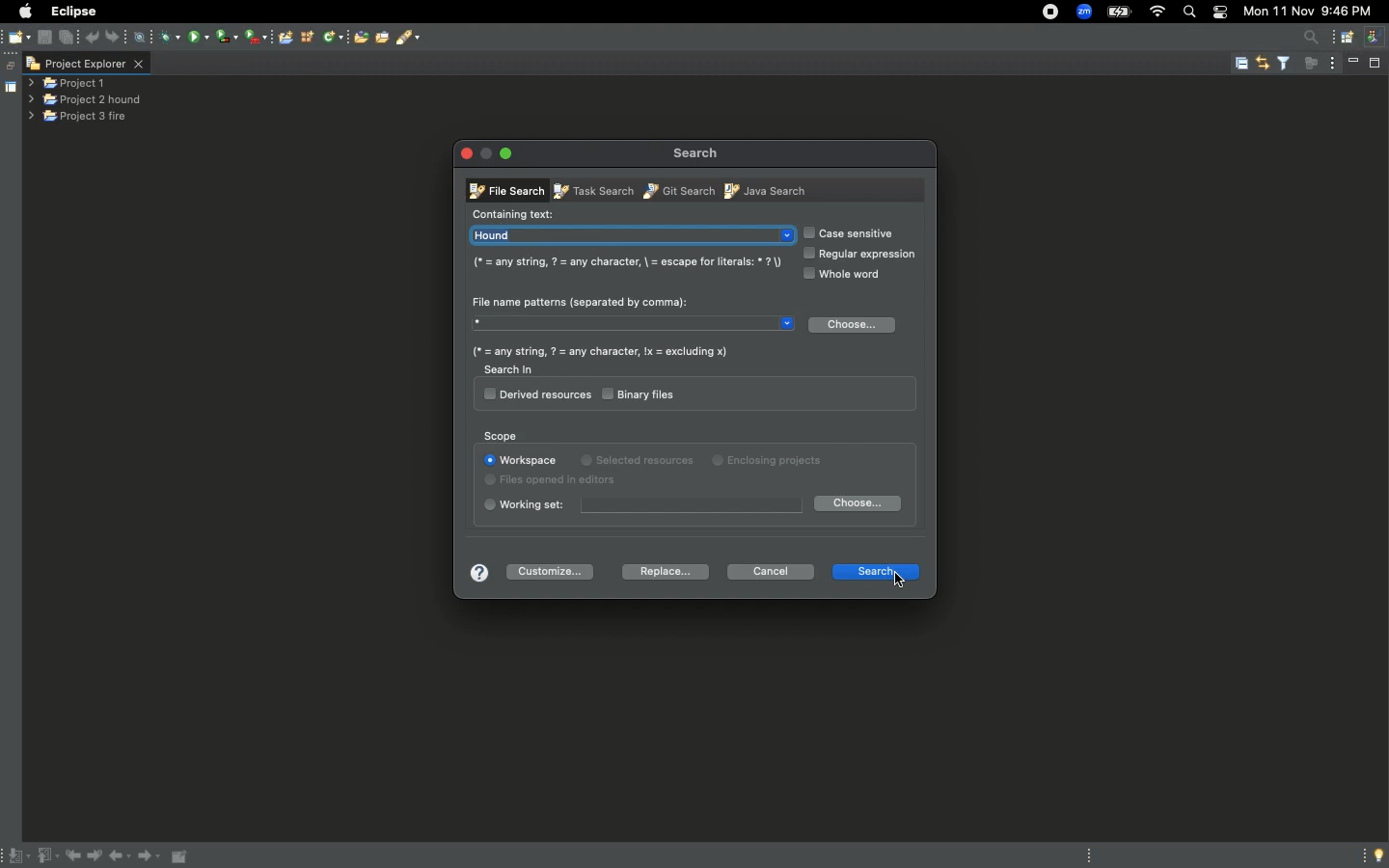 Image resolution: width=1389 pixels, height=868 pixels. I want to click on minimise, so click(1352, 66).